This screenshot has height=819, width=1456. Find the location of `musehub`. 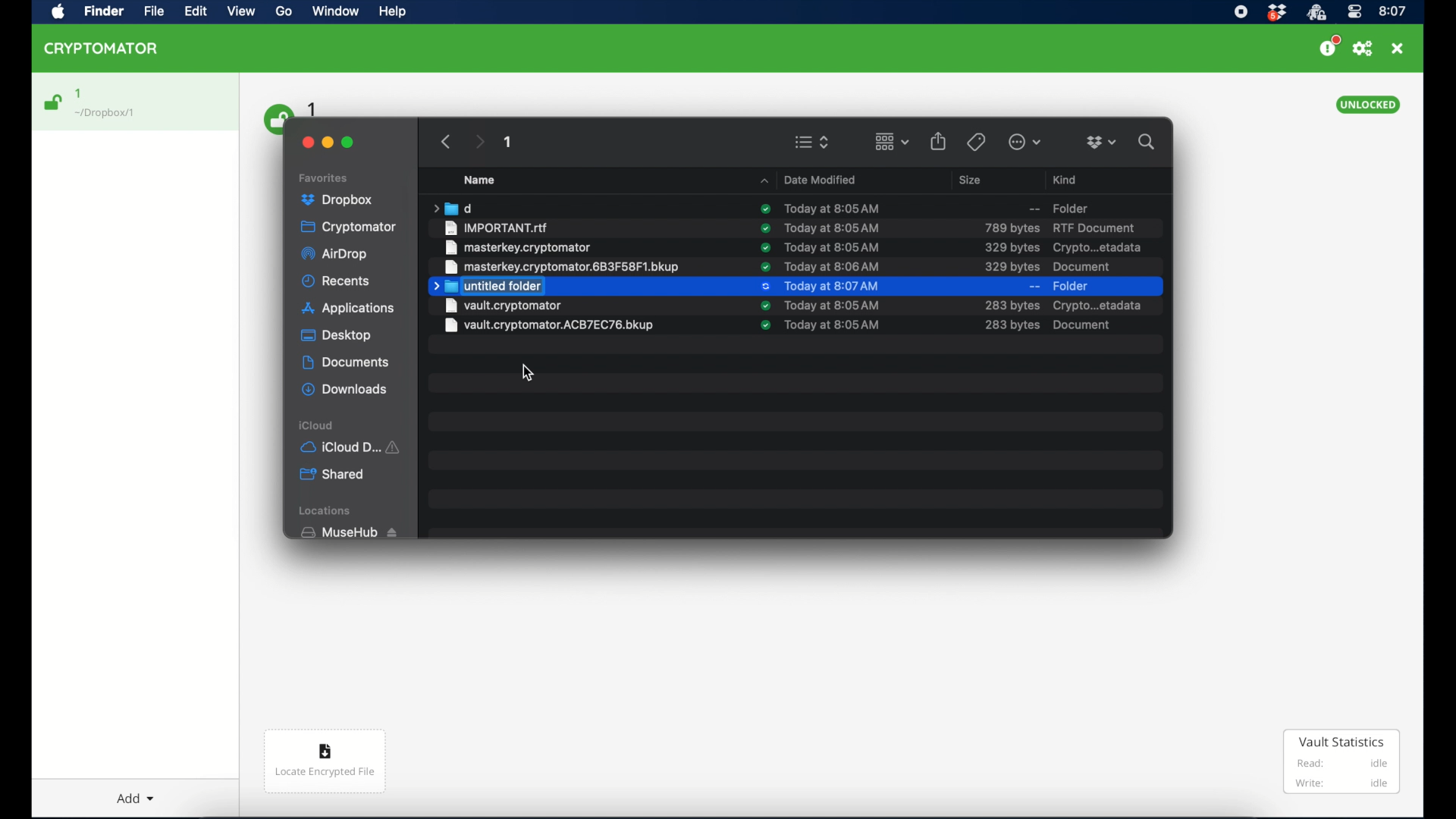

musehub is located at coordinates (348, 532).